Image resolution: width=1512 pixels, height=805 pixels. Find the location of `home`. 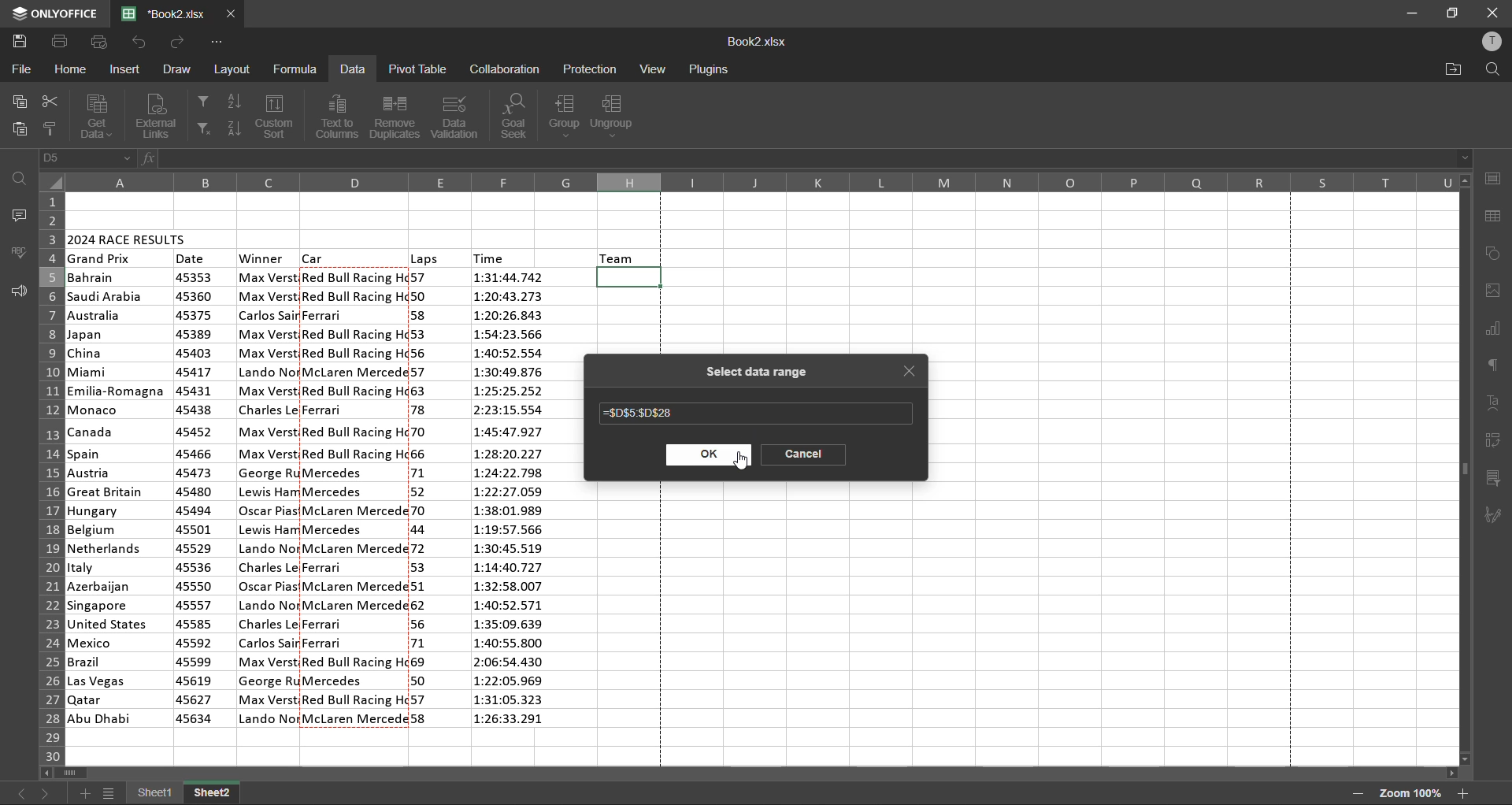

home is located at coordinates (71, 71).